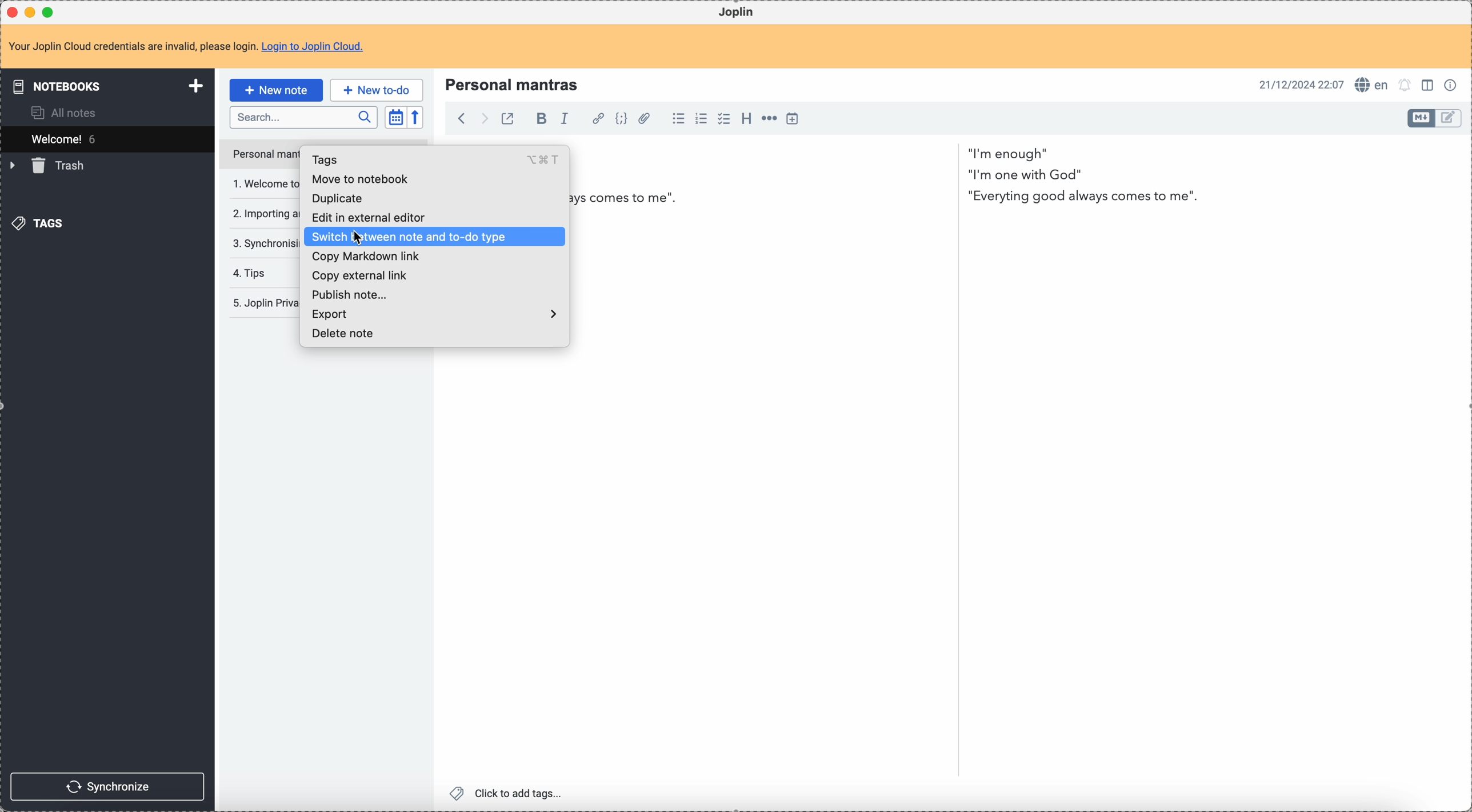 This screenshot has width=1472, height=812. Describe the element at coordinates (49, 11) in the screenshot. I see `maximize program` at that location.